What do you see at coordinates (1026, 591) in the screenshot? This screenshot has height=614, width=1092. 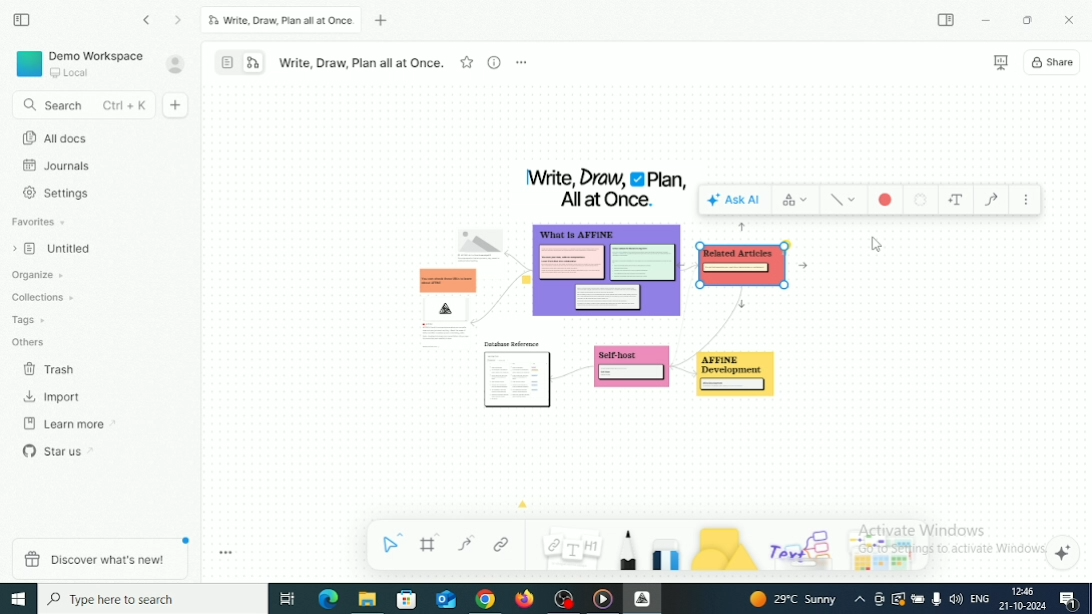 I see `Time` at bounding box center [1026, 591].